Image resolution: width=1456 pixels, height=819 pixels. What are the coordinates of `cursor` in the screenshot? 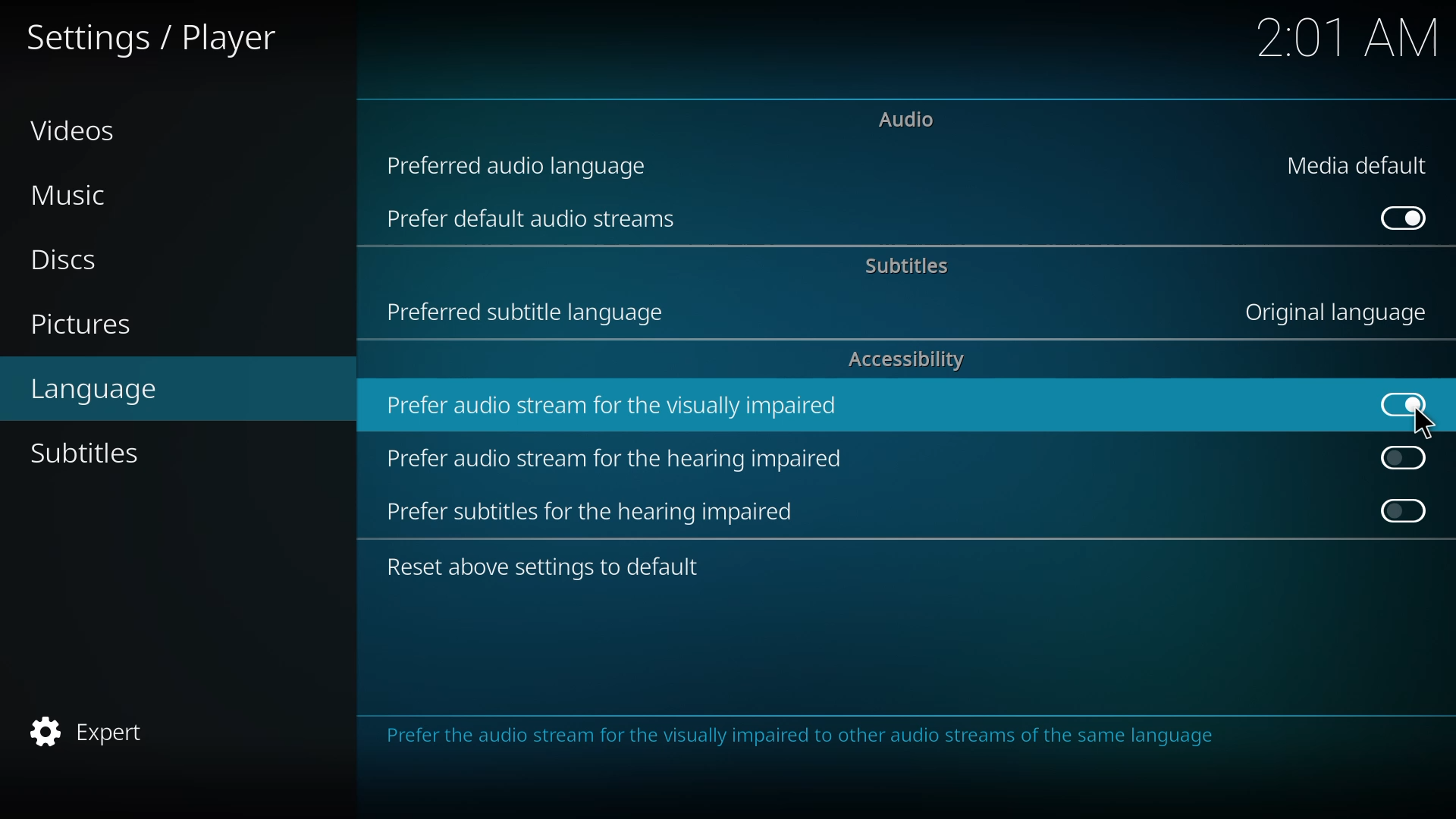 It's located at (1423, 422).